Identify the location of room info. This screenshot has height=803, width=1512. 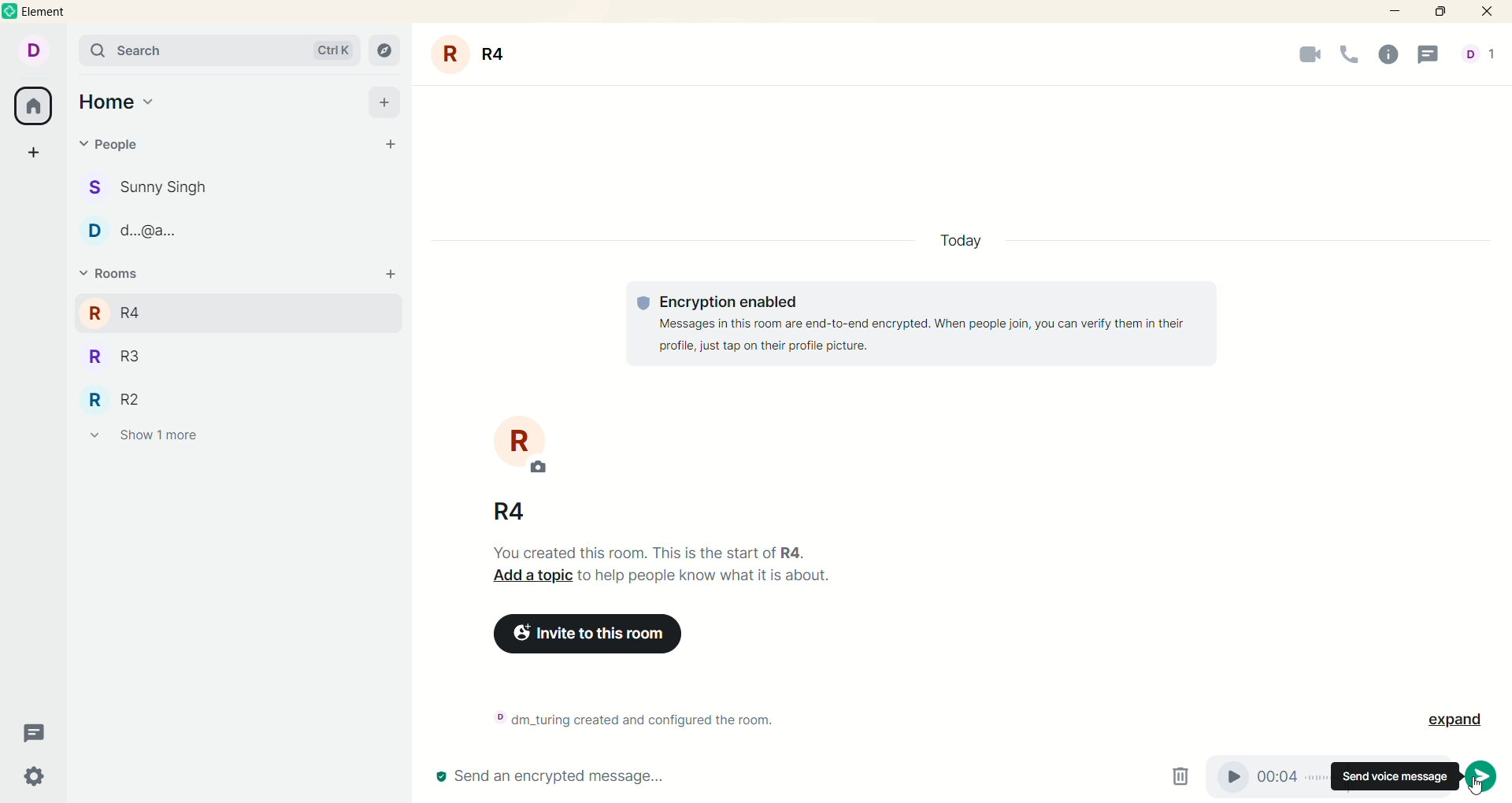
(1392, 56).